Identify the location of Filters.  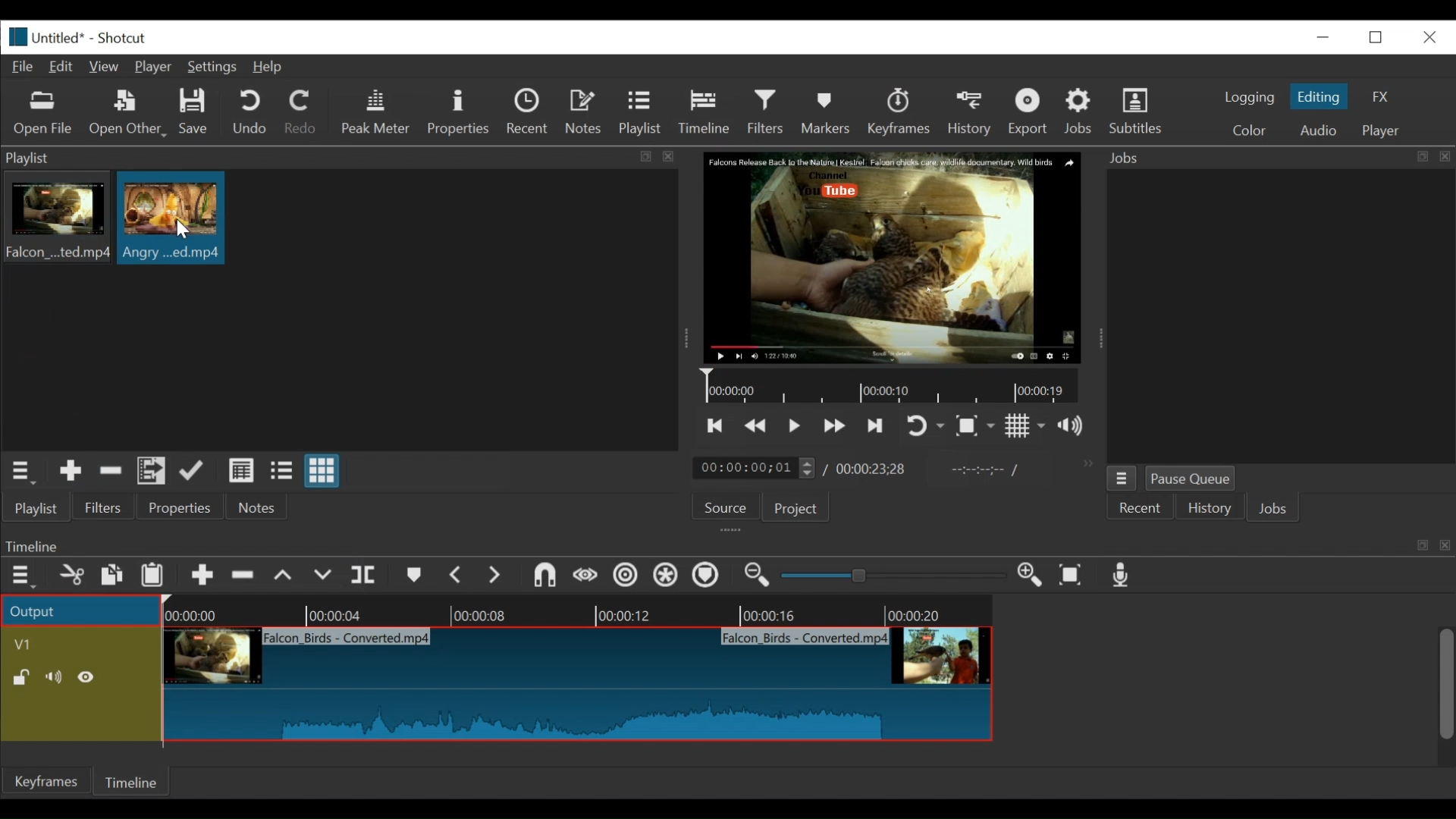
(104, 508).